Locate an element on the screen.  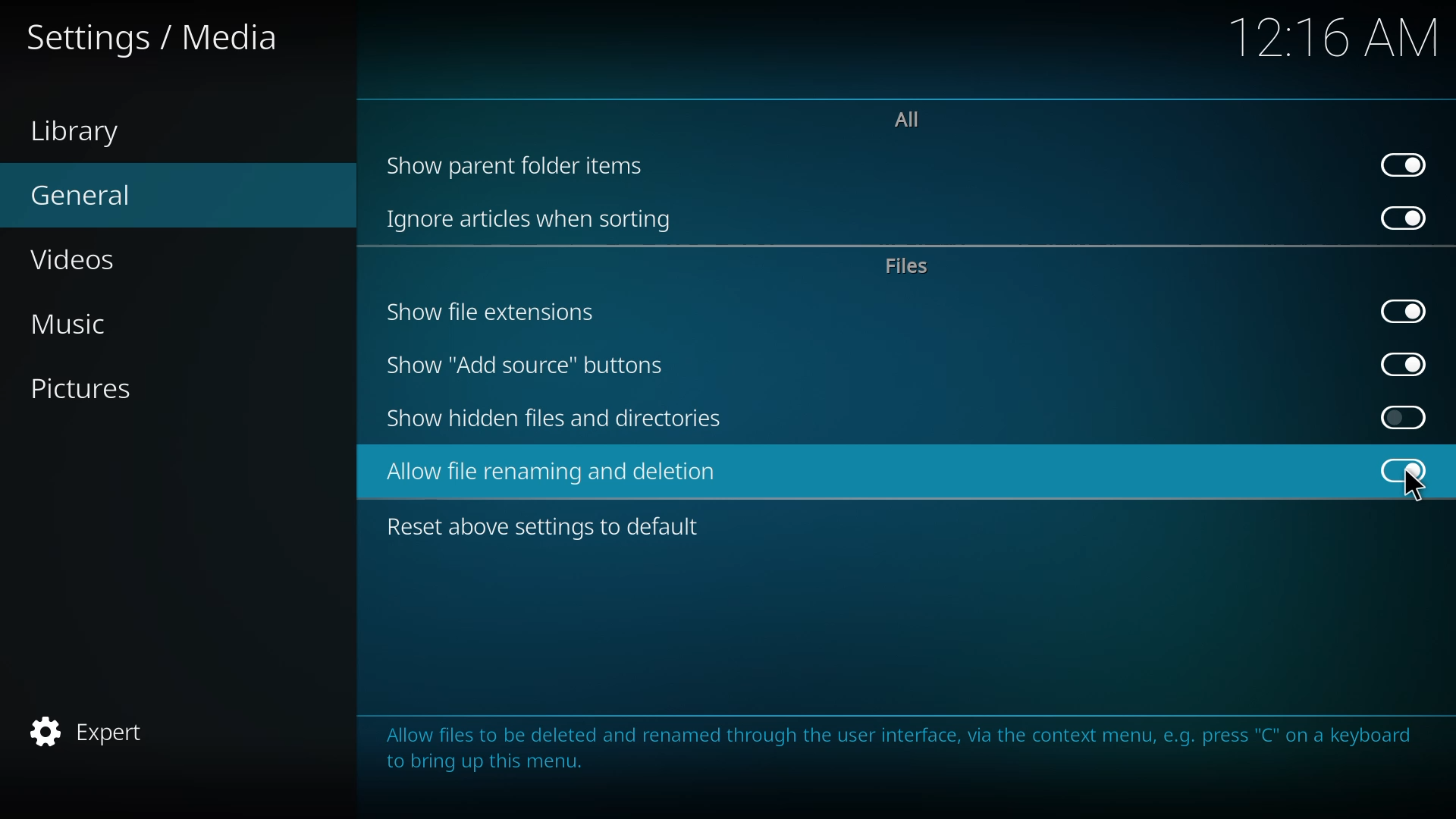
show file extensions is located at coordinates (492, 312).